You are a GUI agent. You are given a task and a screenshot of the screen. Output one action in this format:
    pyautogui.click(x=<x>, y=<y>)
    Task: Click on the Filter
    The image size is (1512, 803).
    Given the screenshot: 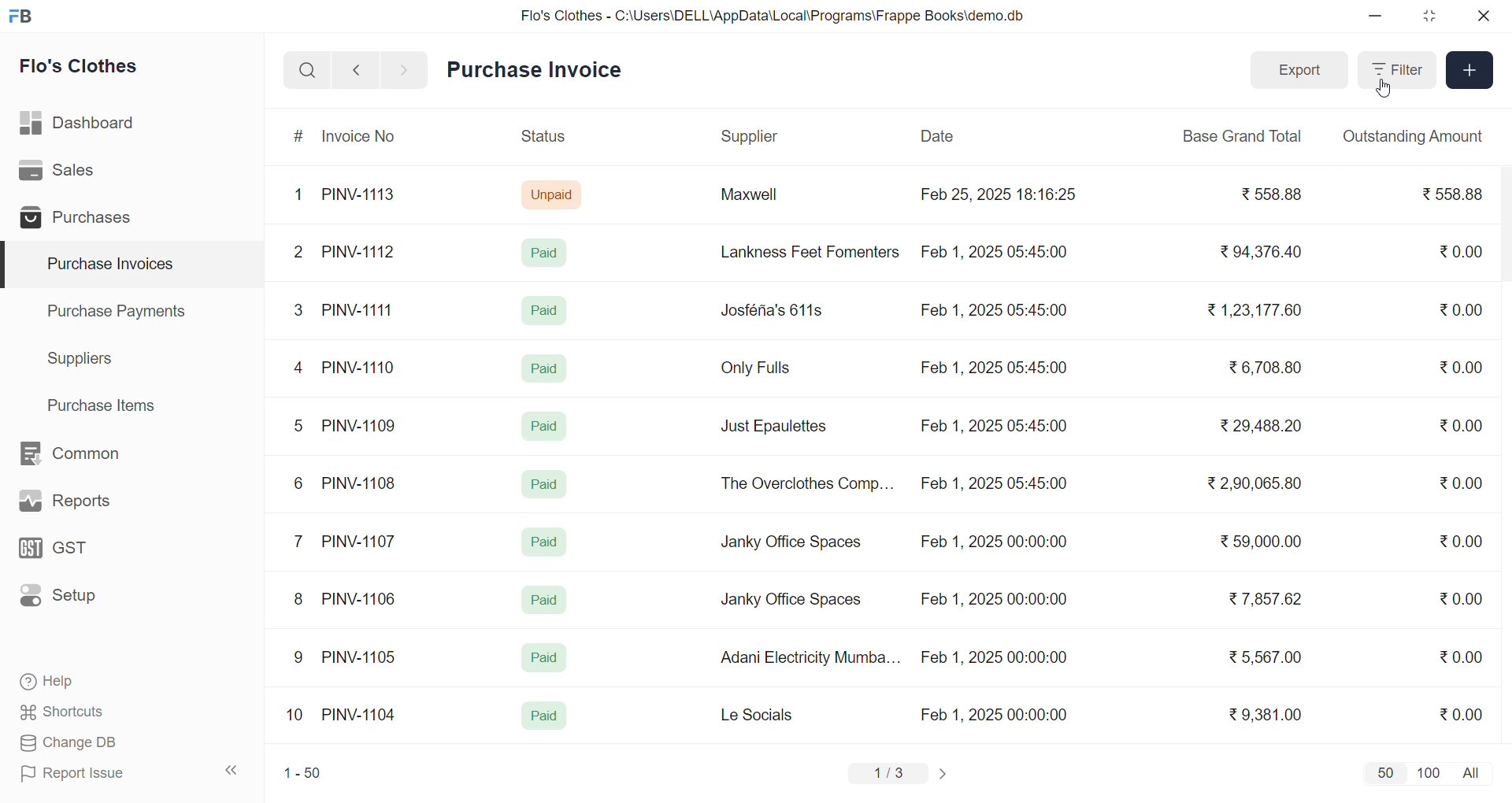 What is the action you would take?
    pyautogui.click(x=1395, y=70)
    